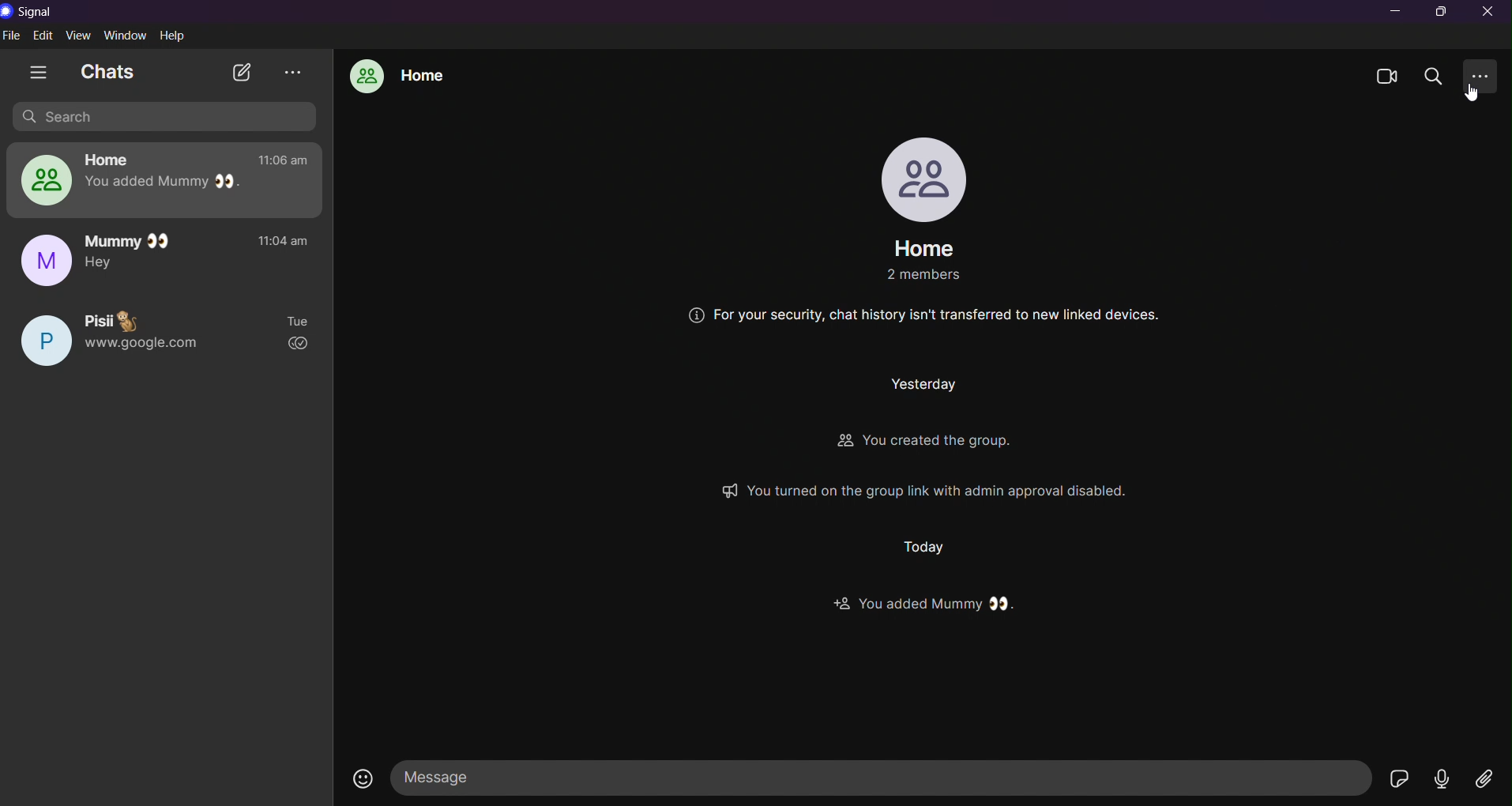 The width and height of the screenshot is (1512, 806). I want to click on view, so click(81, 36).